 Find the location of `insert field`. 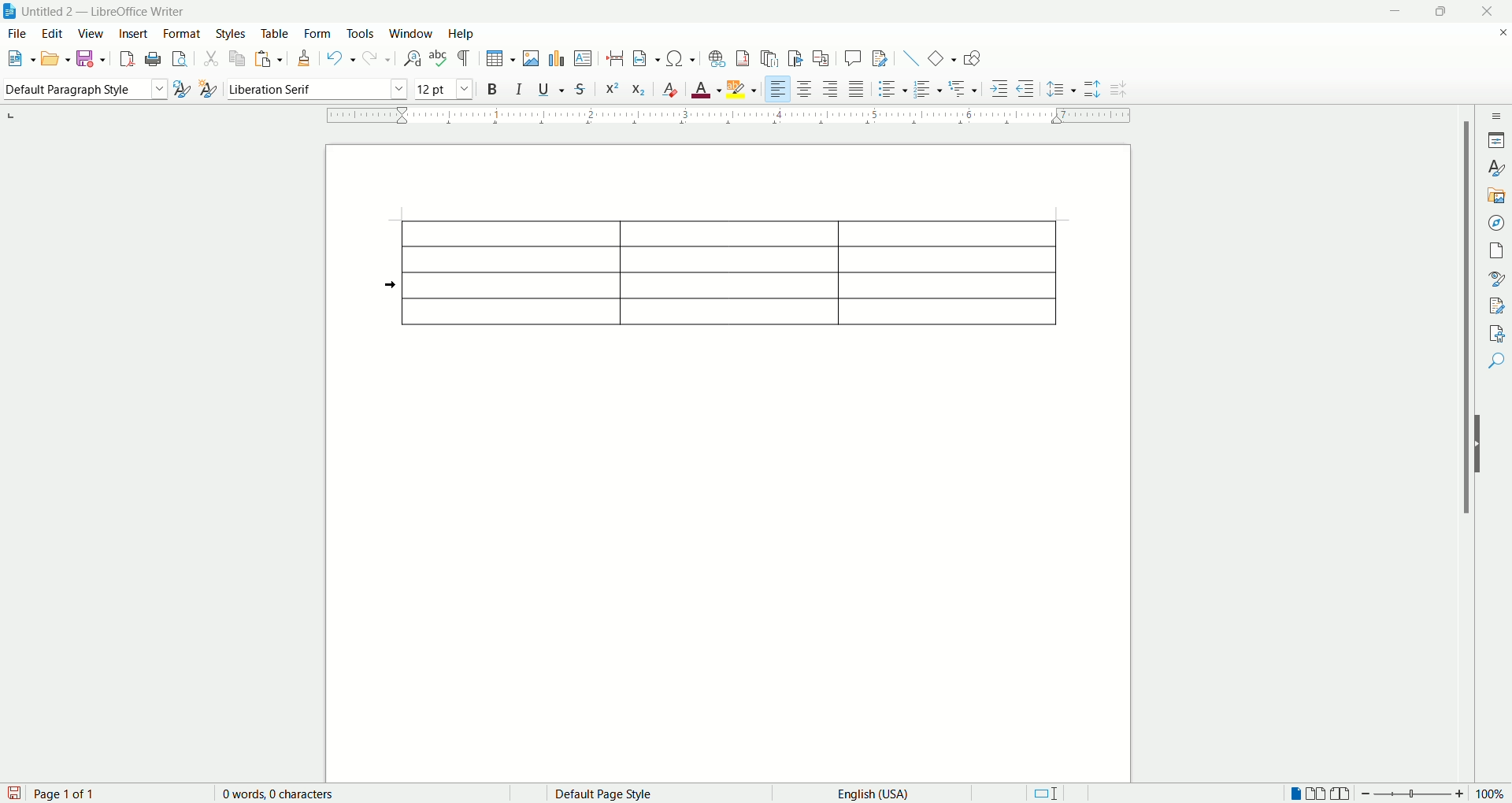

insert field is located at coordinates (644, 59).